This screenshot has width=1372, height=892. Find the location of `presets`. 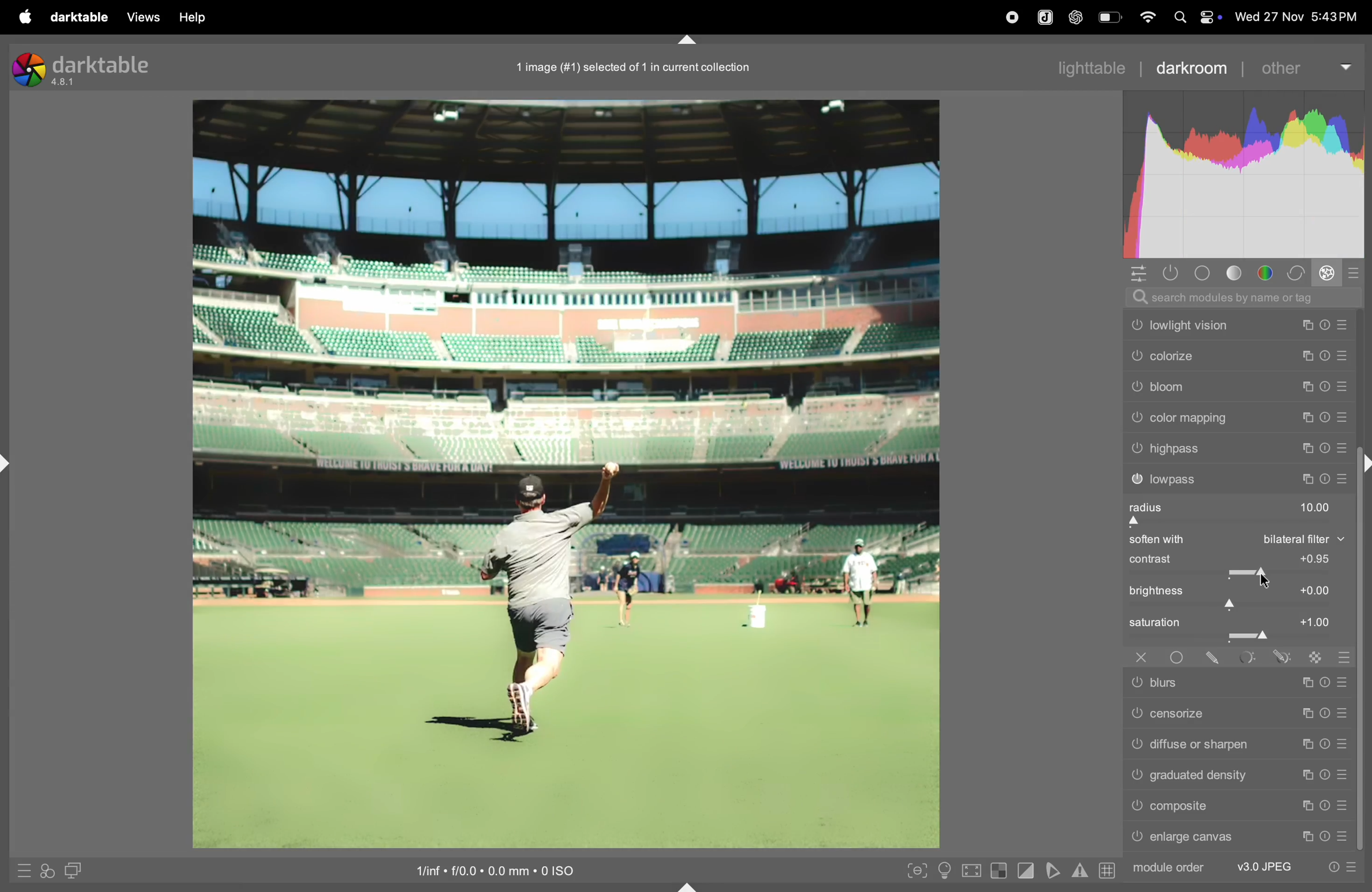

presets is located at coordinates (1355, 273).